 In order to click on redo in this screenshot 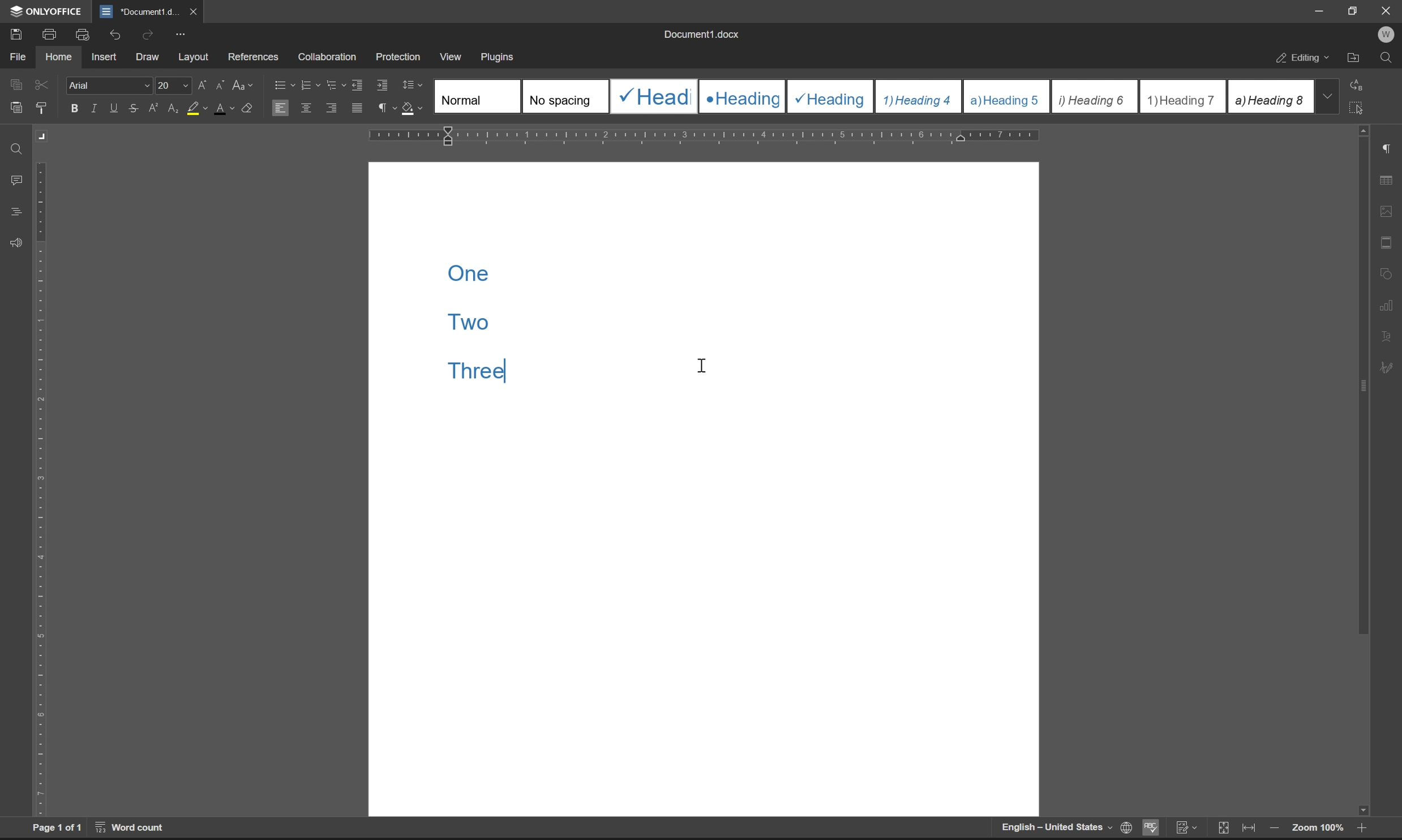, I will do `click(150, 34)`.